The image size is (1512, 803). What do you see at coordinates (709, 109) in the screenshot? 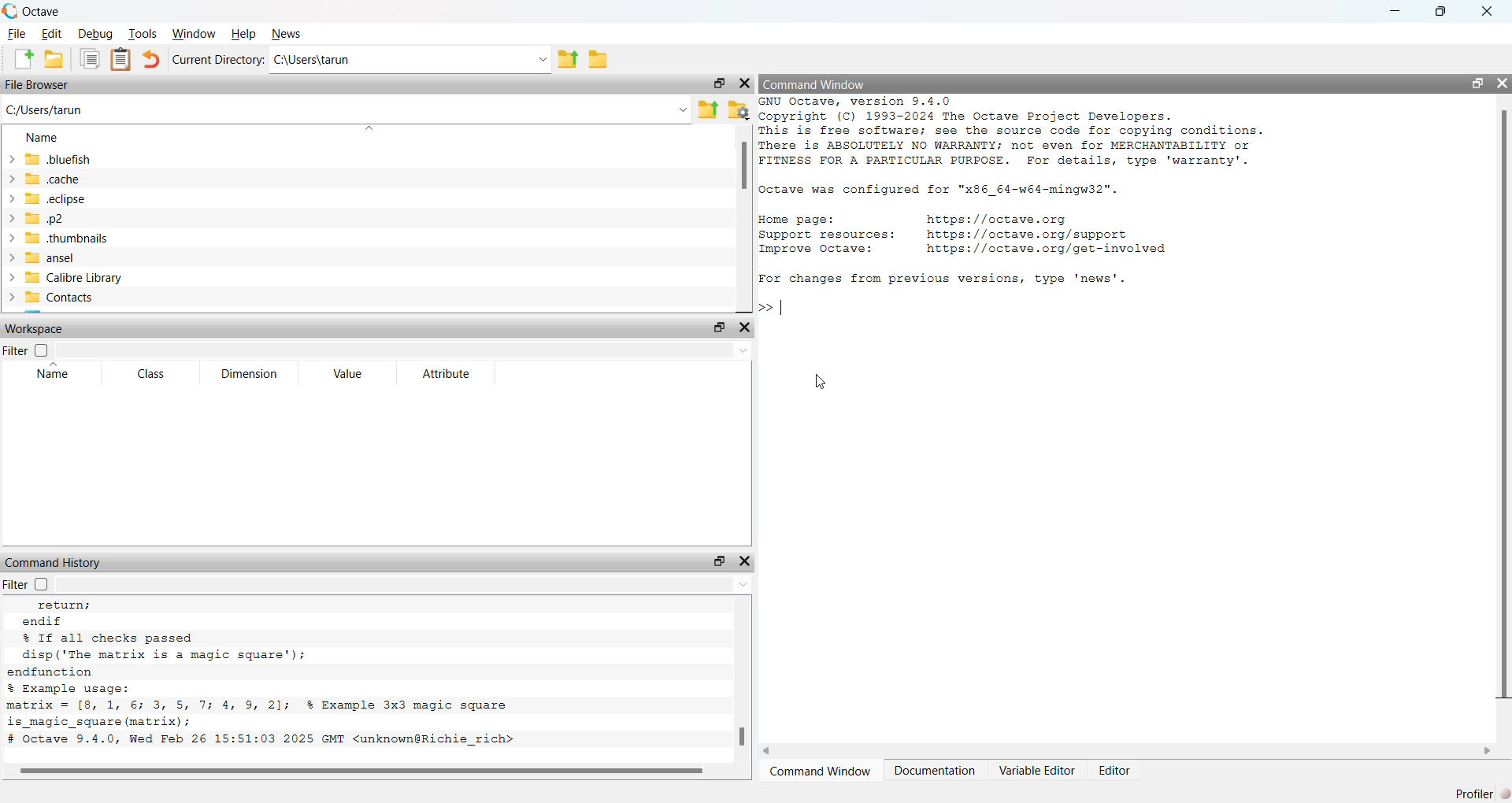
I see `Previous Folder` at bounding box center [709, 109].